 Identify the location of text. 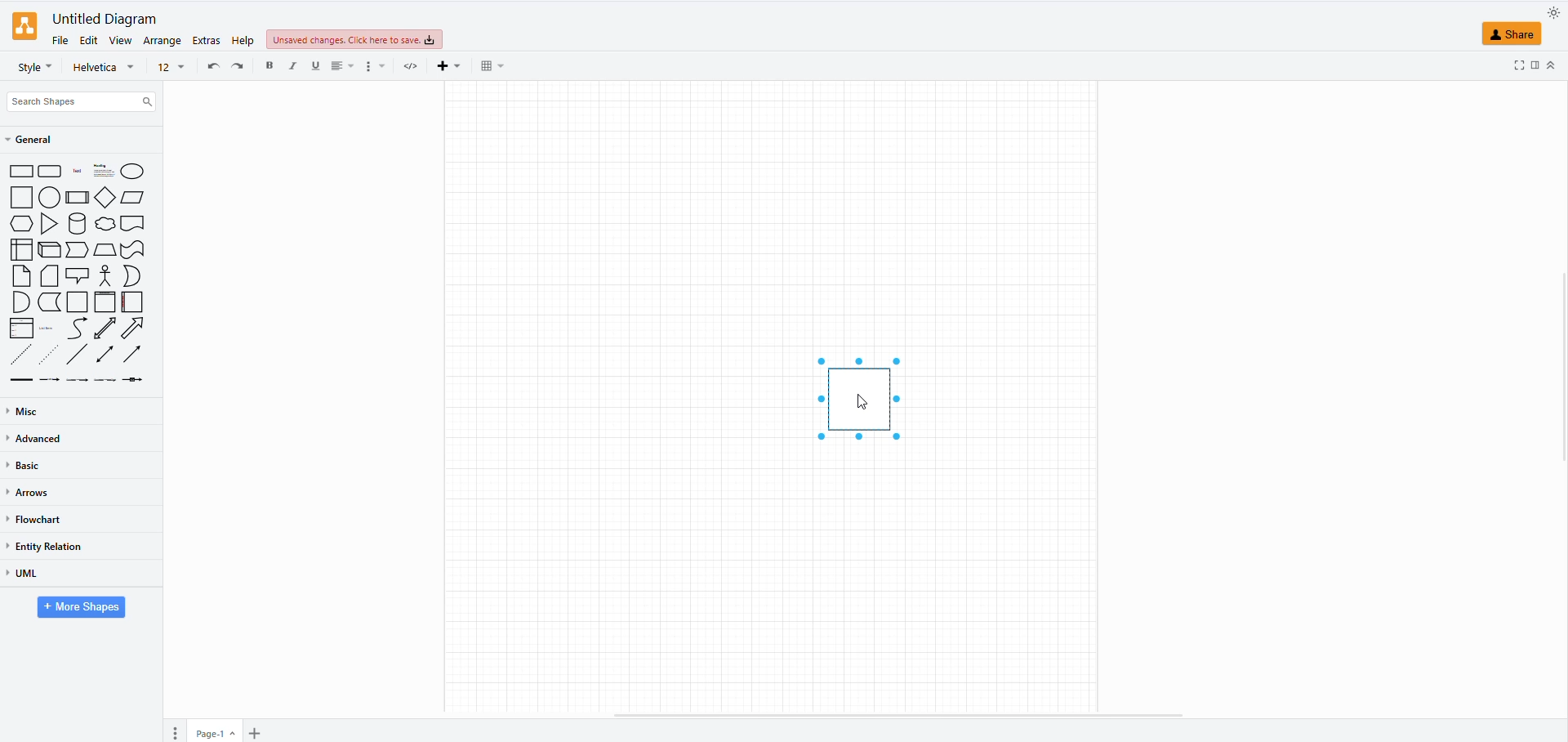
(76, 172).